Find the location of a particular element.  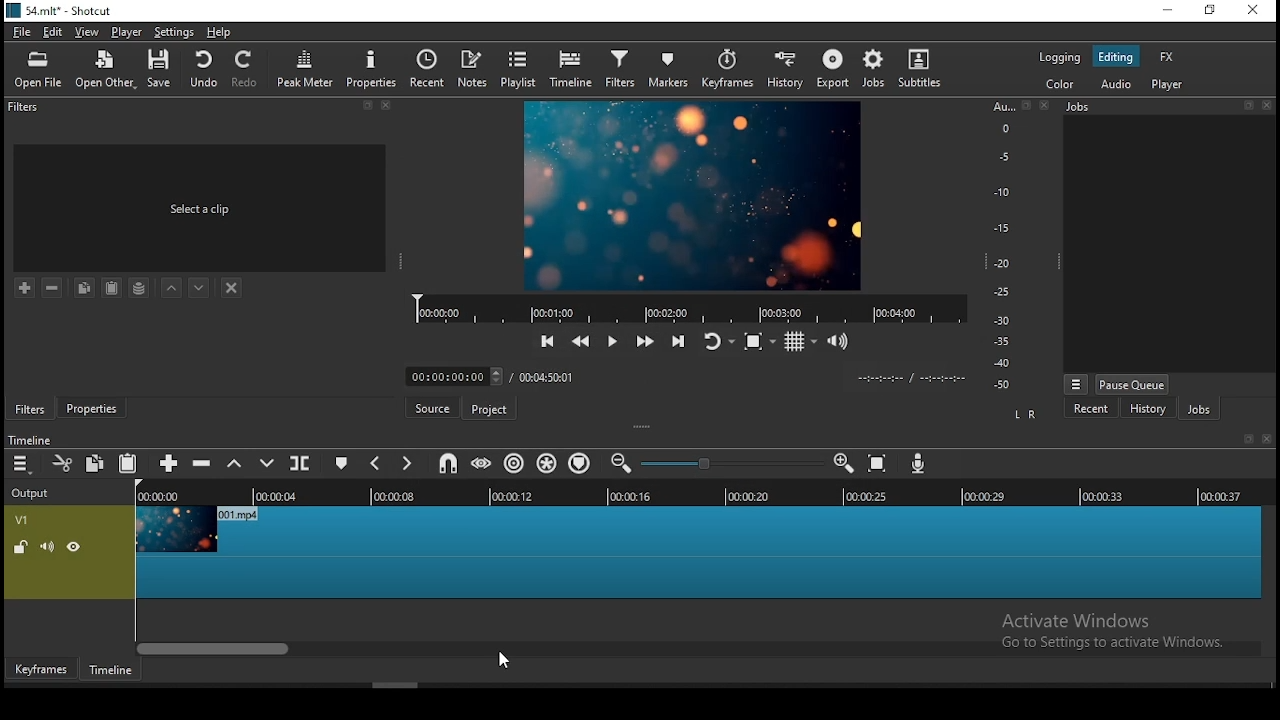

markers is located at coordinates (670, 67).